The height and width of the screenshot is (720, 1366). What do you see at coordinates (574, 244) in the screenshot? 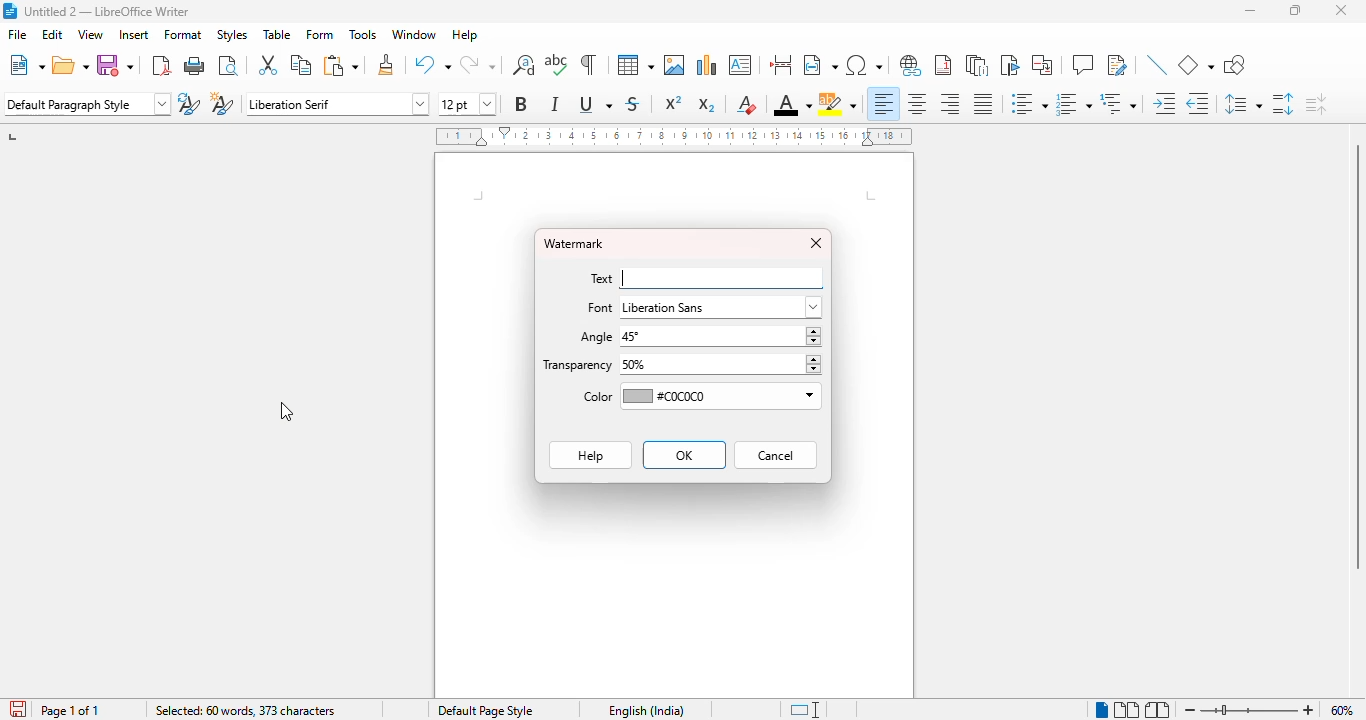
I see `watermark` at bounding box center [574, 244].